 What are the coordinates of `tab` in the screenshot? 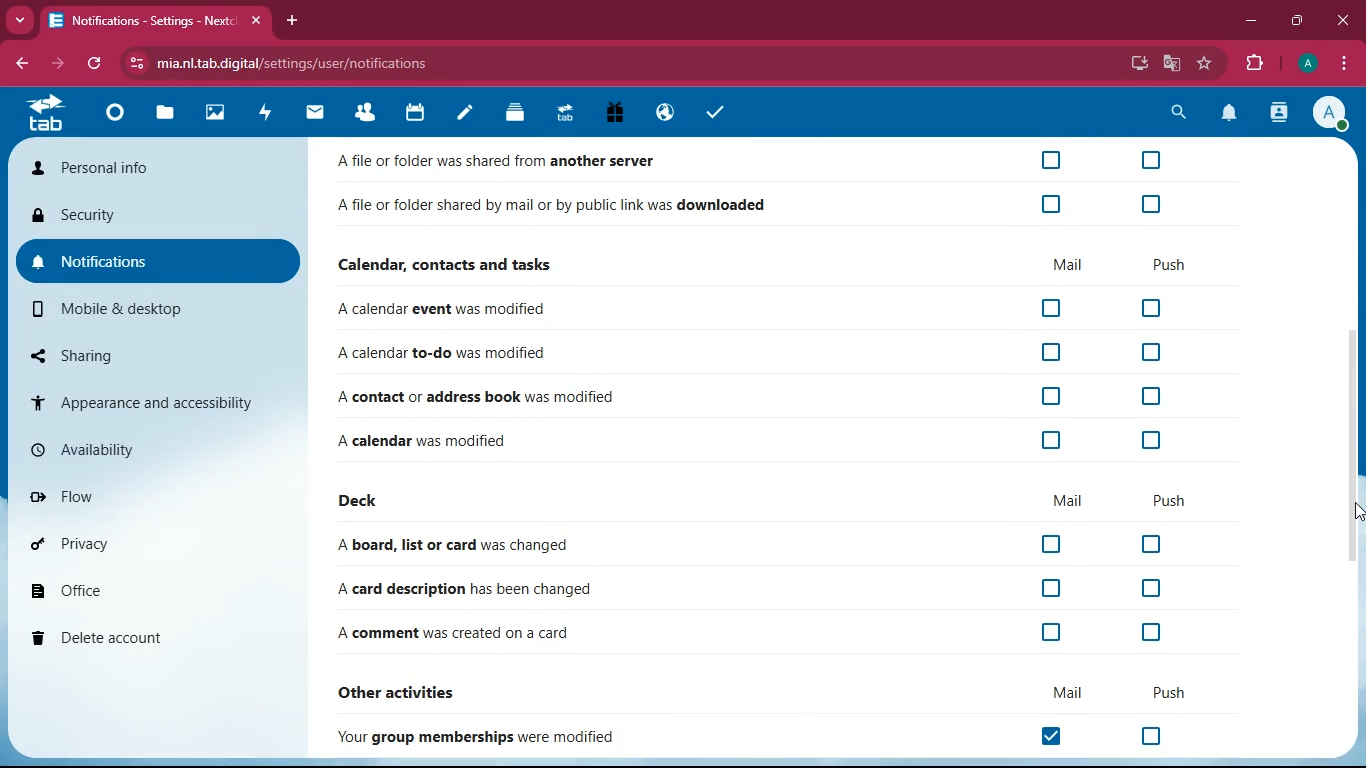 It's located at (564, 112).